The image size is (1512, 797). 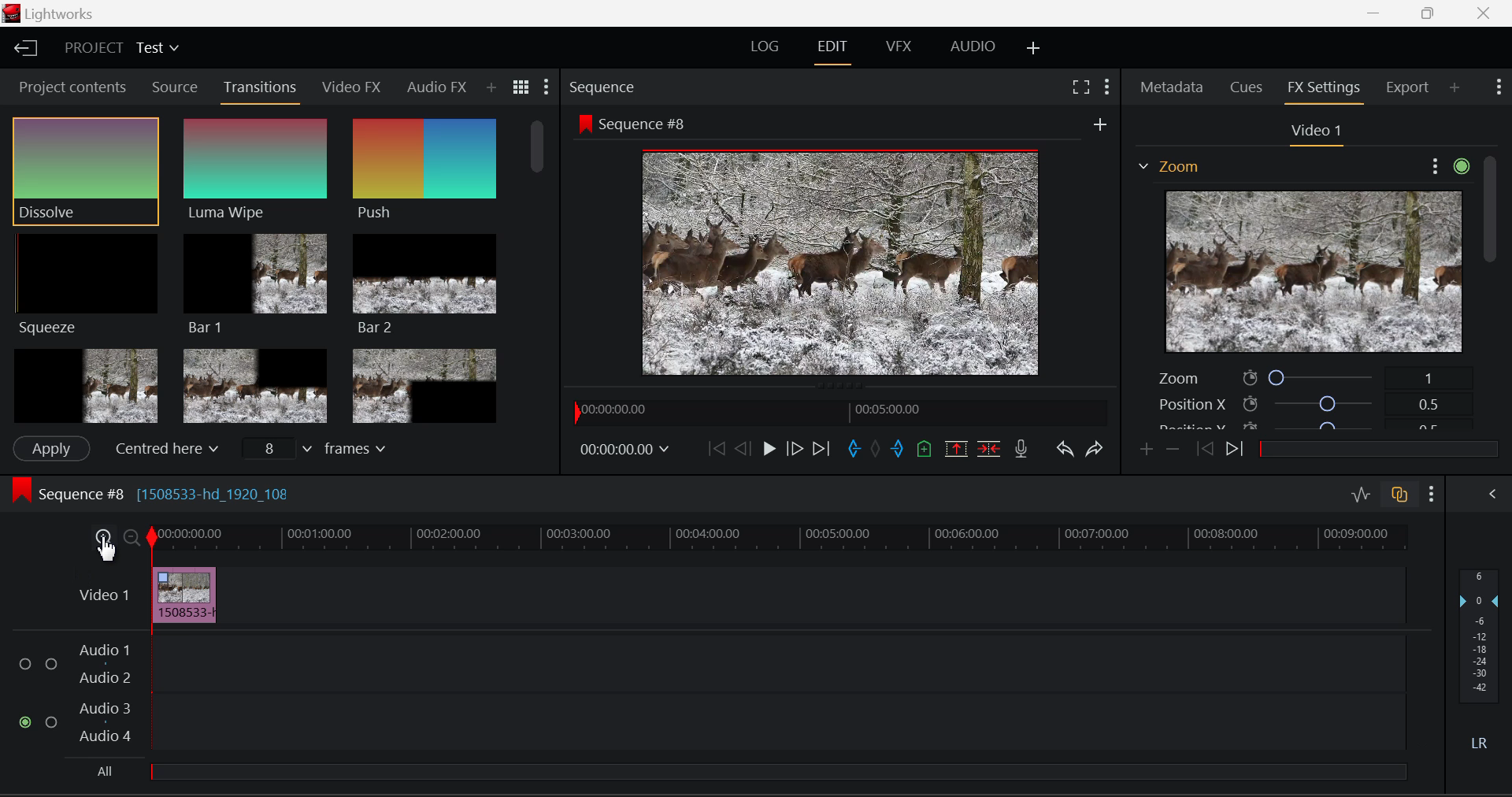 I want to click on Show Settings, so click(x=1495, y=87).